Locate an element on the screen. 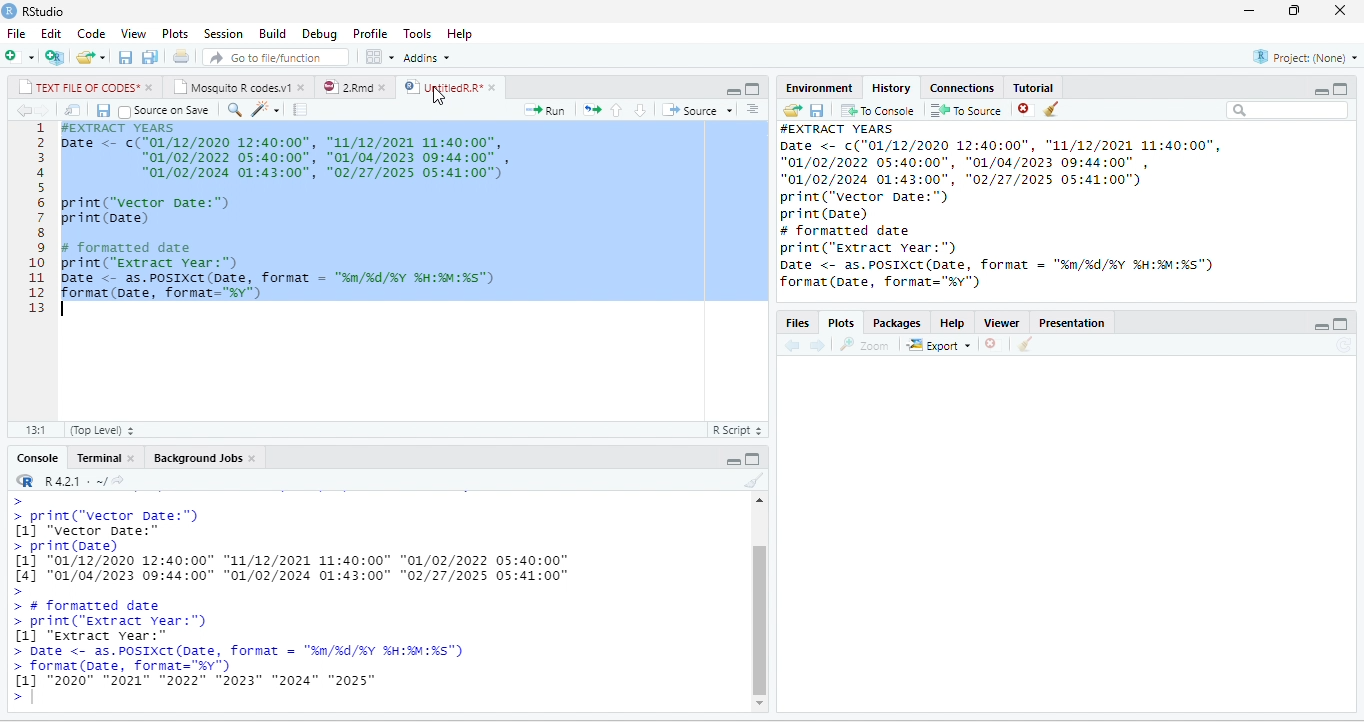 The image size is (1364, 722). # Formatted date print("extract Year:")Date <- as.POSIXct(Date, format = "%m/%d/%y XH:3M:%S™)format (Date, format="%Y") is located at coordinates (1003, 260).